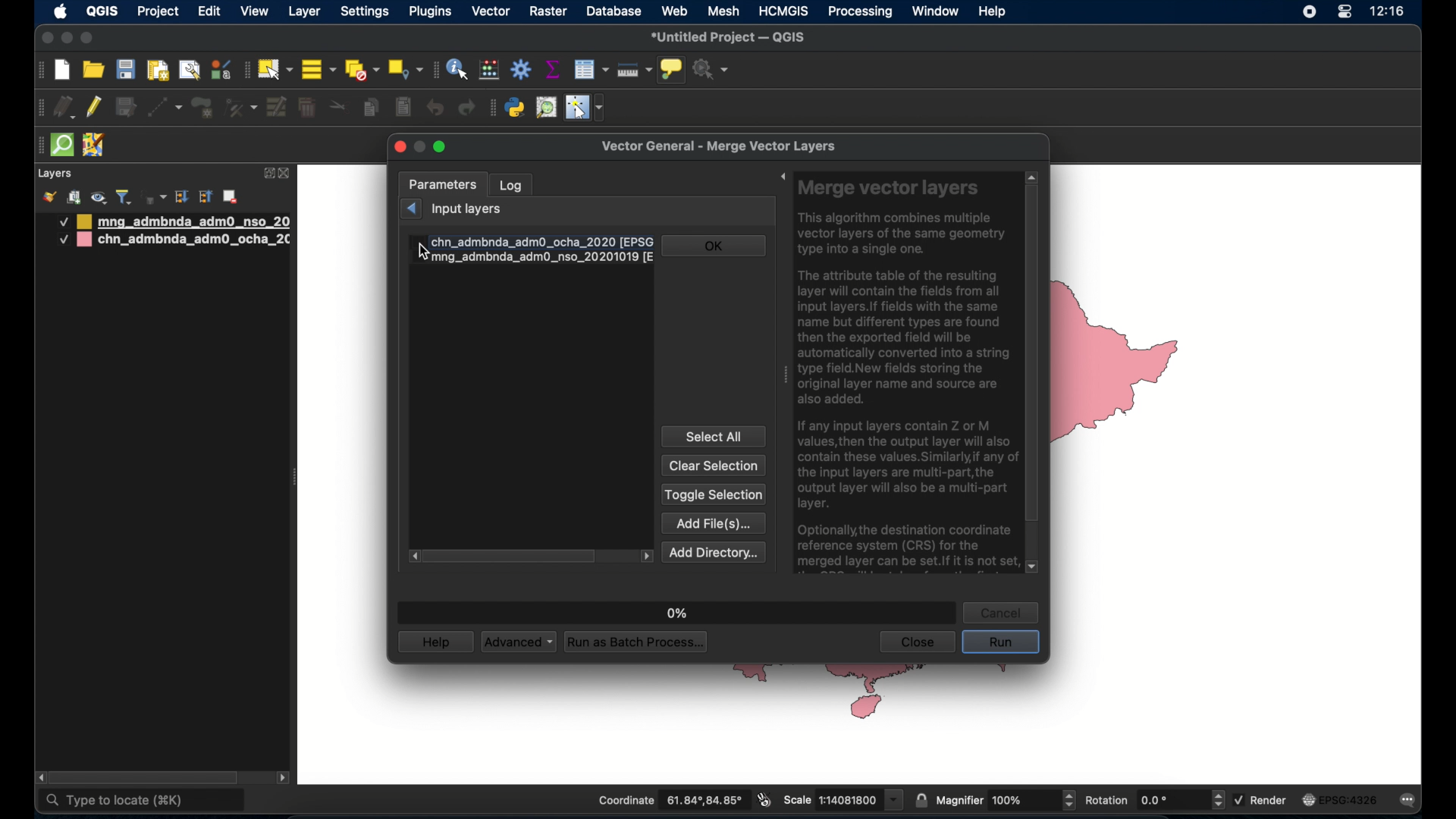  Describe the element at coordinates (143, 802) in the screenshot. I see `type to locate` at that location.